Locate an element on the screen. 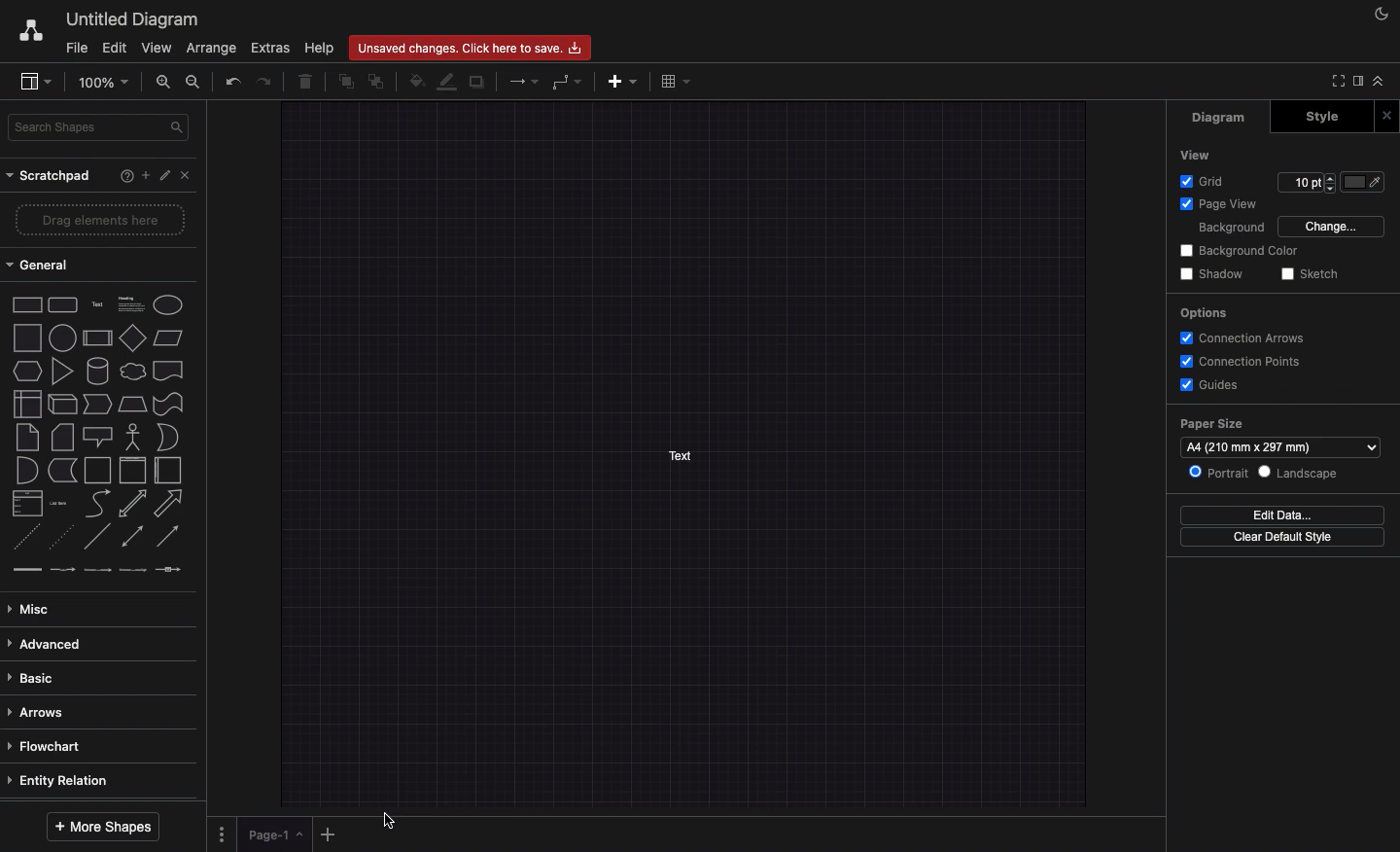 The height and width of the screenshot is (852, 1400). Help is located at coordinates (319, 47).